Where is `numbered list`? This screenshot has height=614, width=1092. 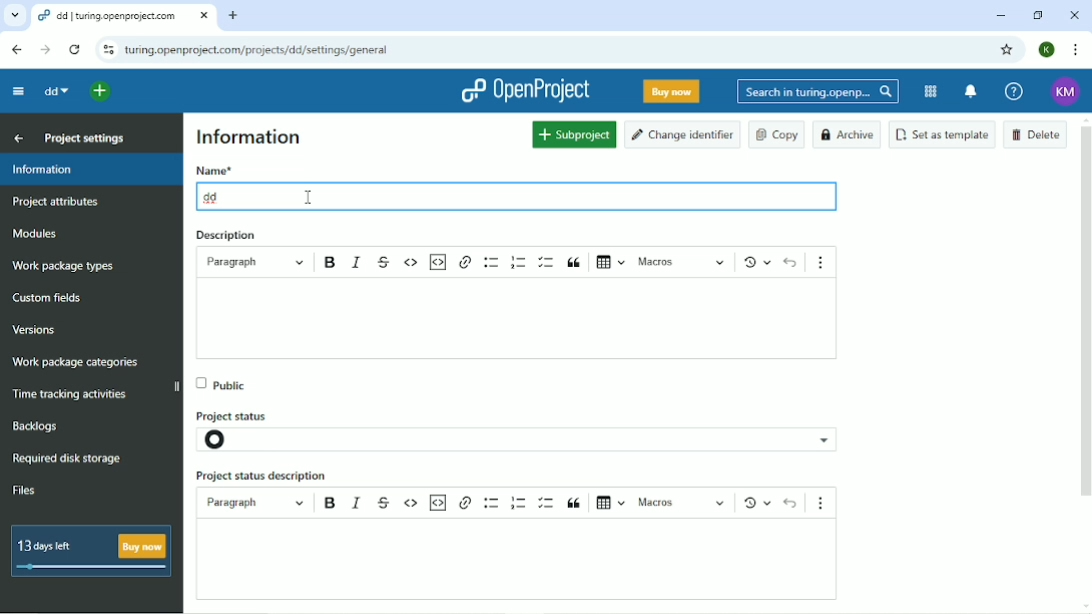 numbered list is located at coordinates (517, 502).